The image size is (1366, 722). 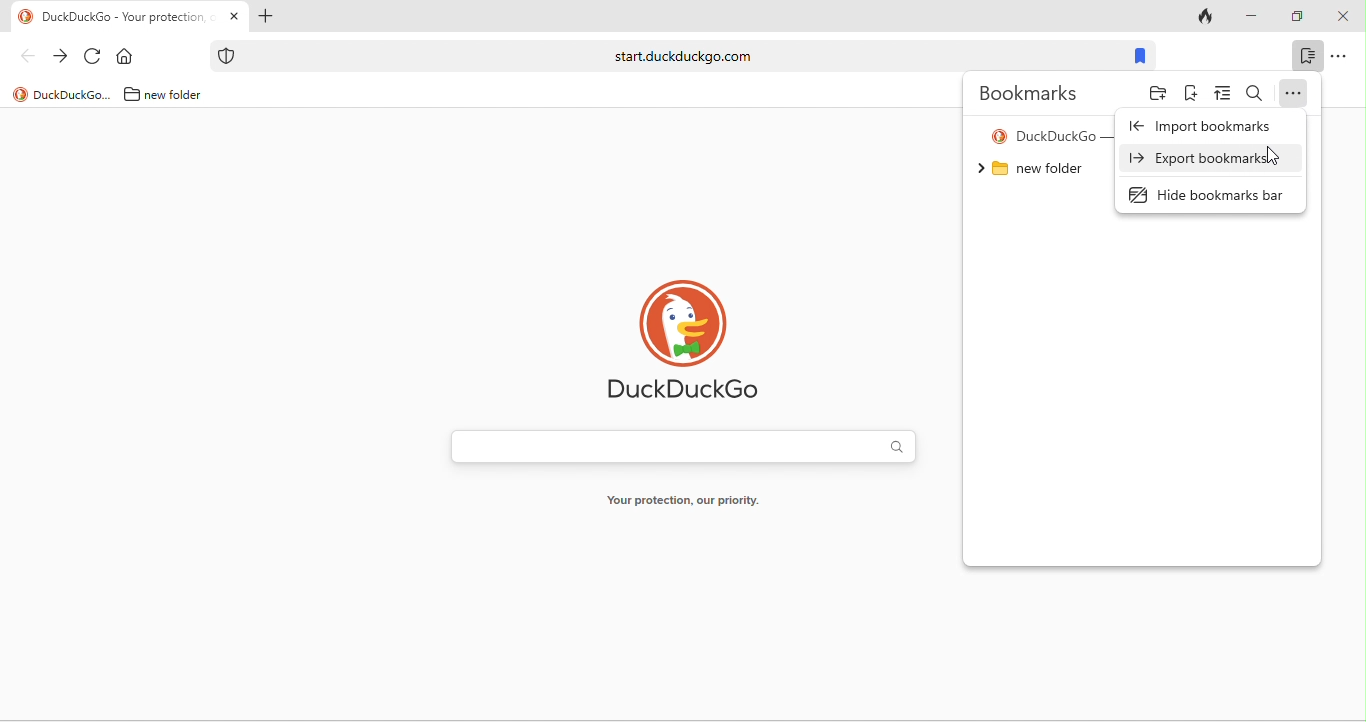 I want to click on hide bookmarks bar, so click(x=1207, y=195).